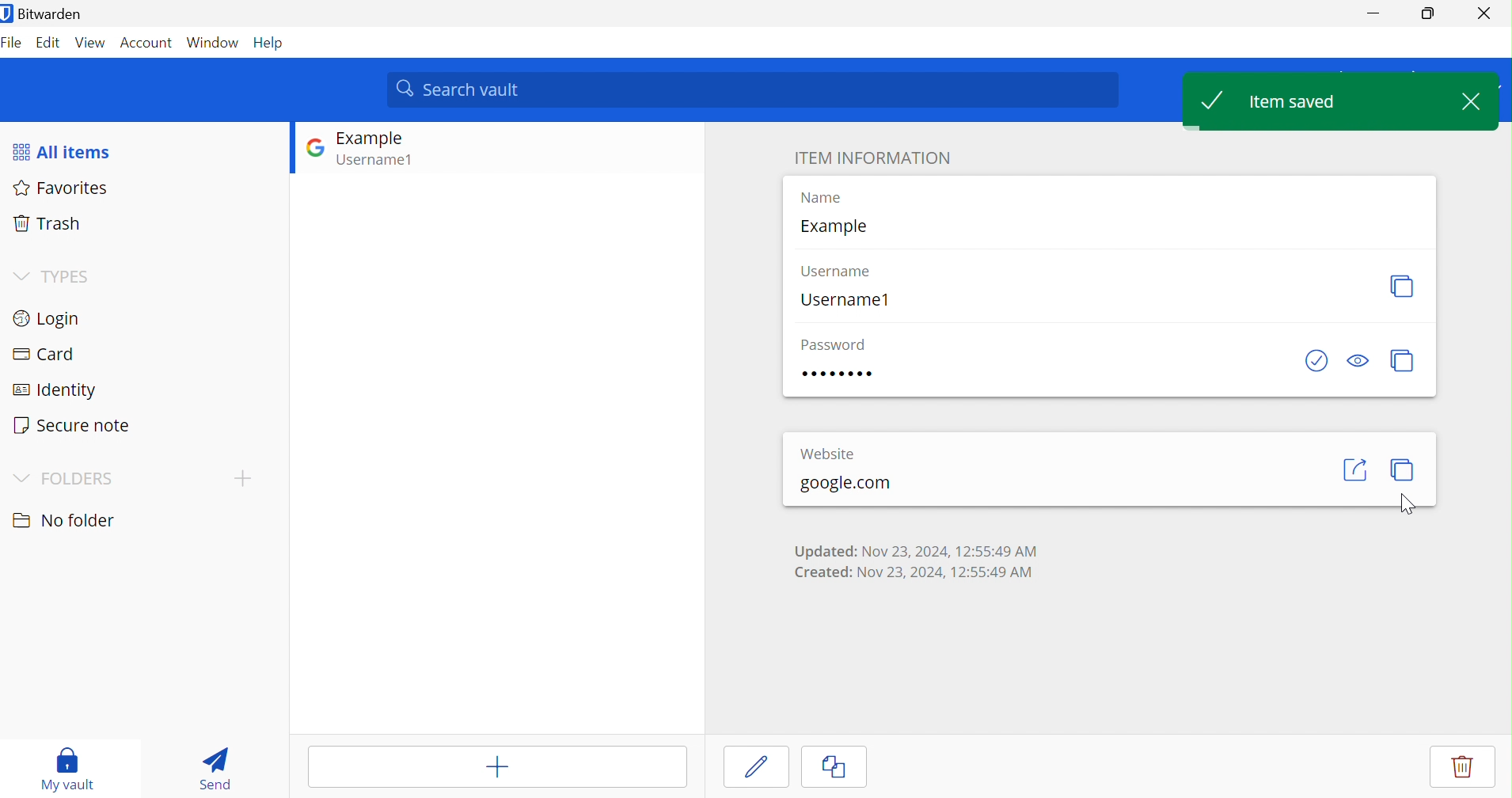  I want to click on Search vault, so click(754, 89).